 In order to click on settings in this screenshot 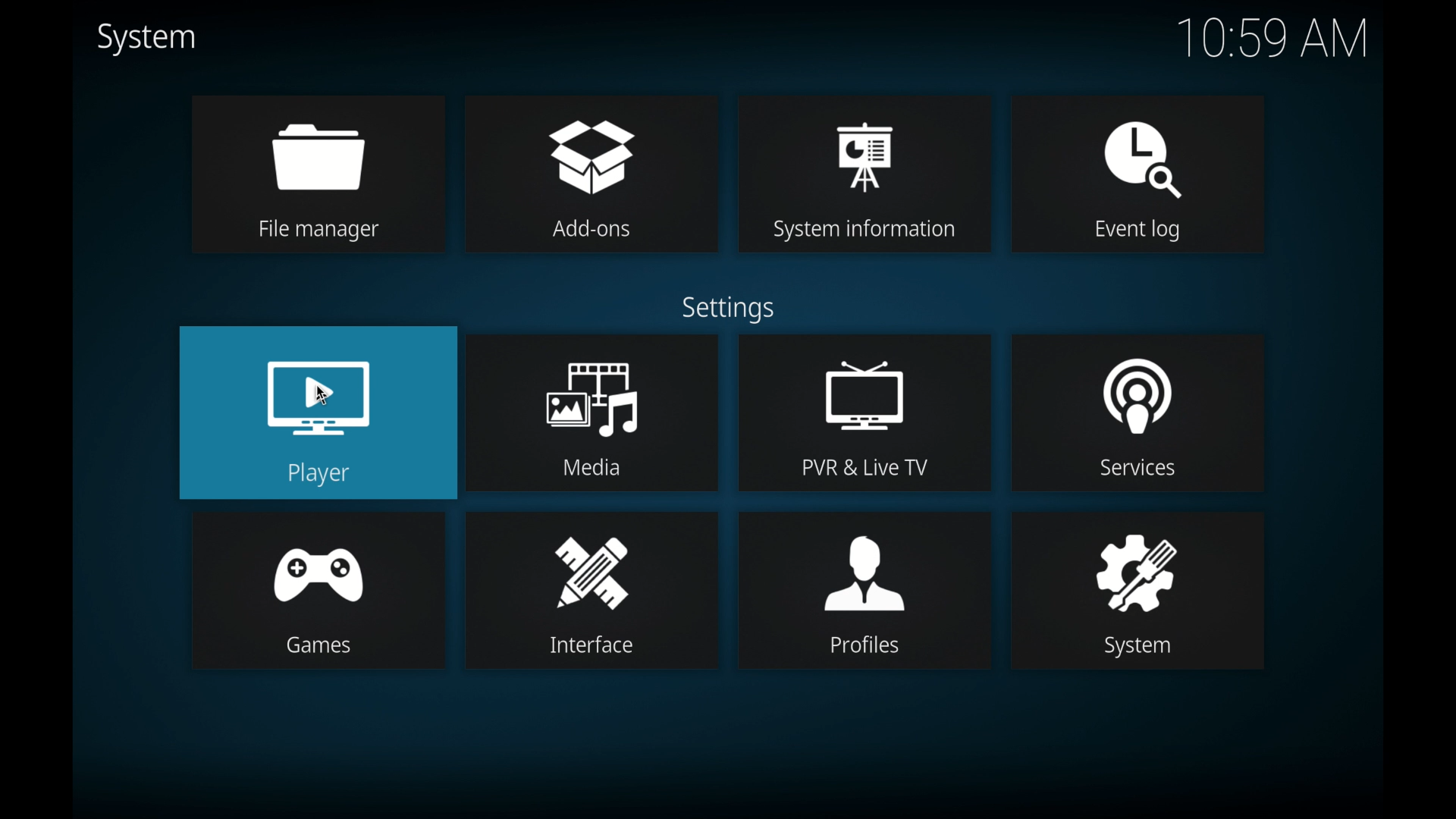, I will do `click(730, 309)`.